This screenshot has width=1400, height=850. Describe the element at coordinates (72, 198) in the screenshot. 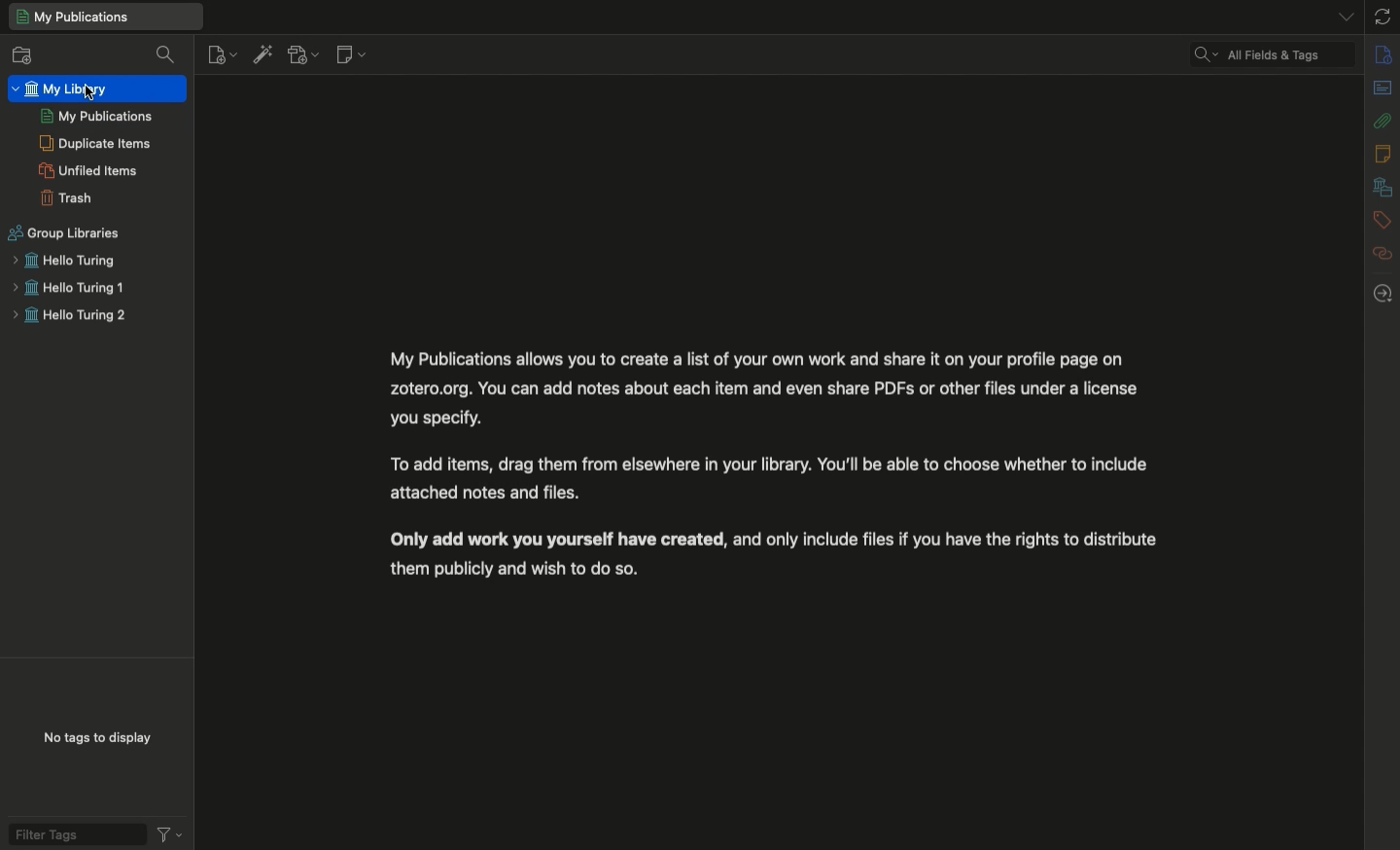

I see `Trash` at that location.